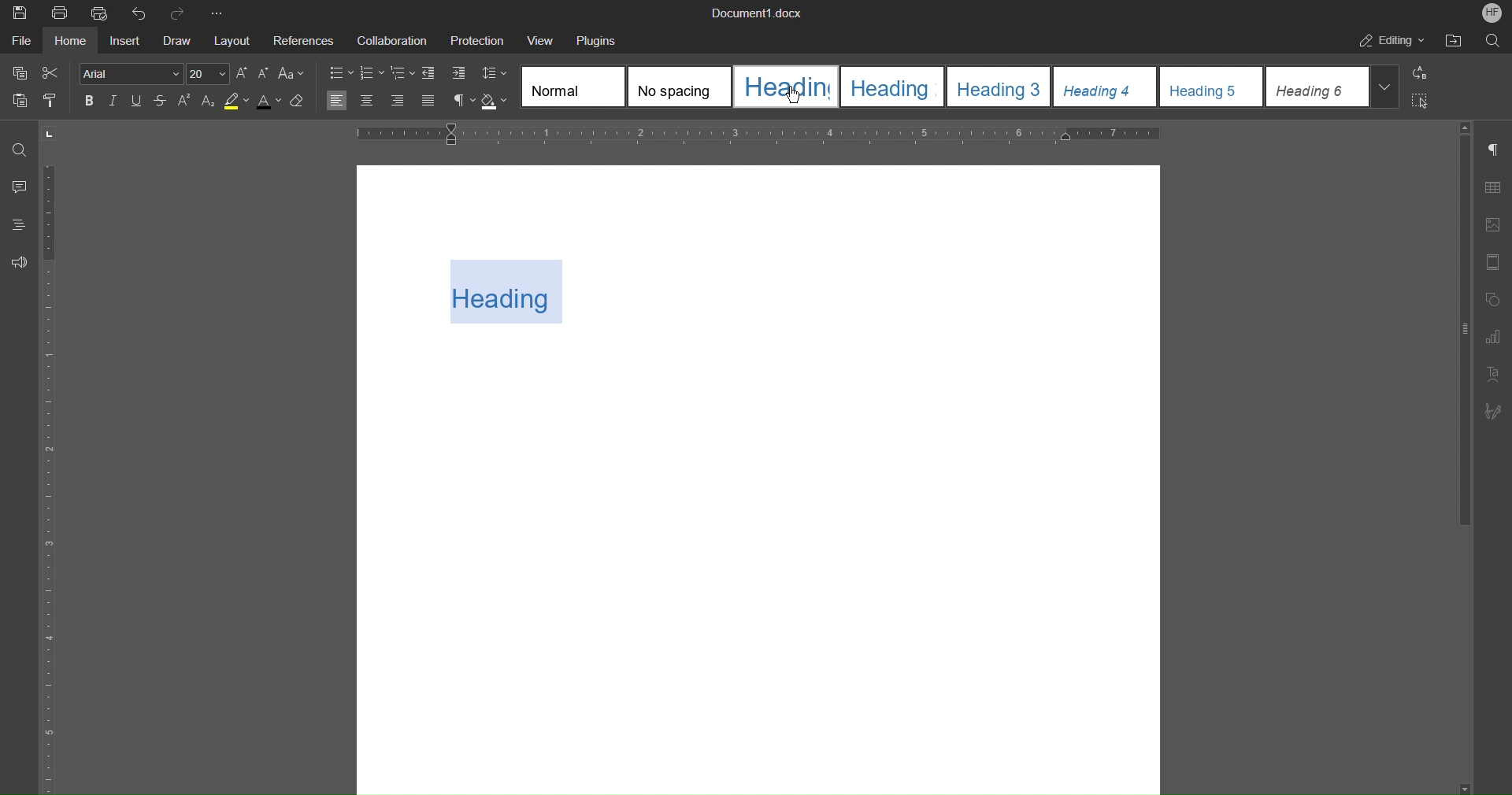  What do you see at coordinates (897, 86) in the screenshot?
I see `Heading 2` at bounding box center [897, 86].